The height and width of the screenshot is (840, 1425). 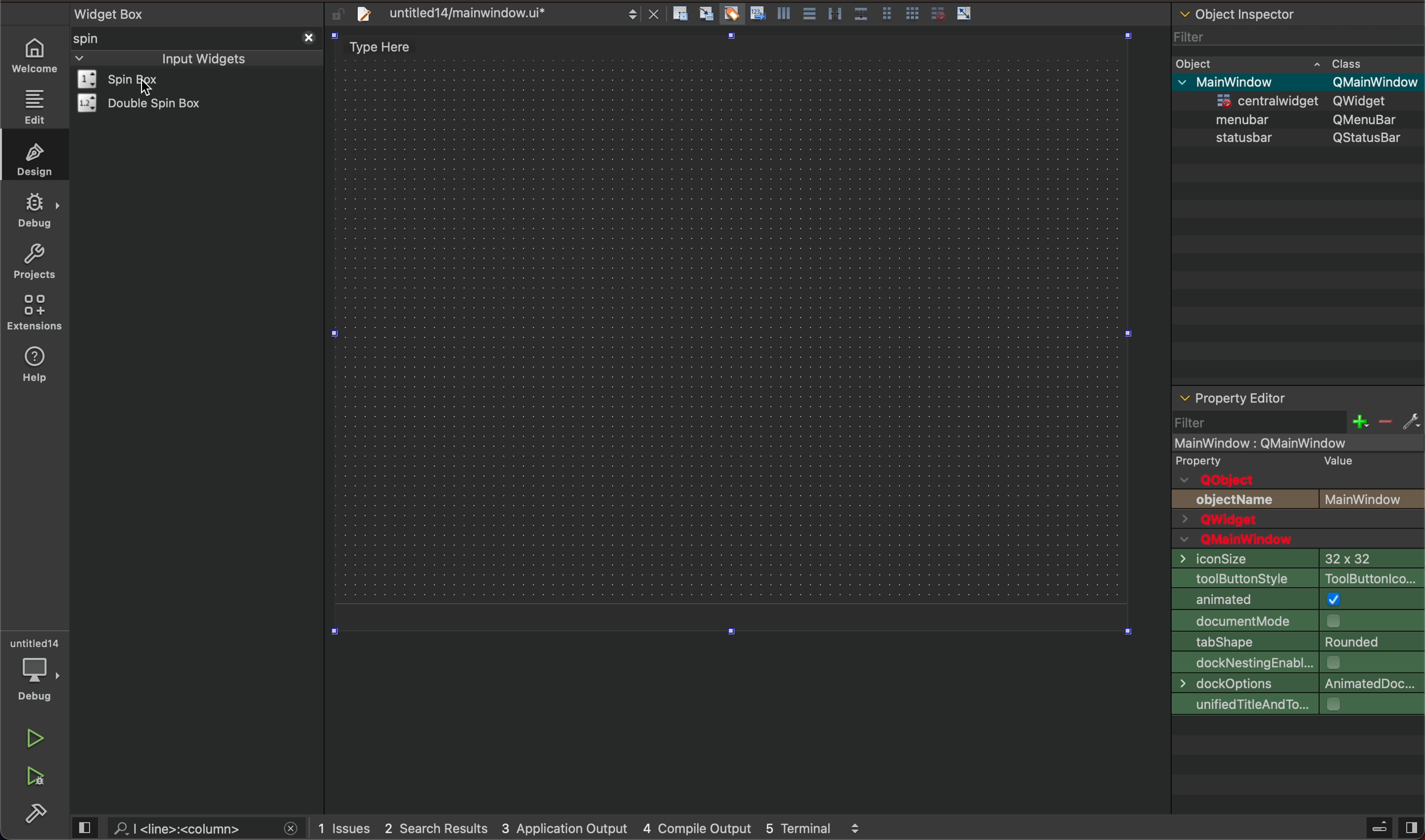 I want to click on , so click(x=1374, y=82).